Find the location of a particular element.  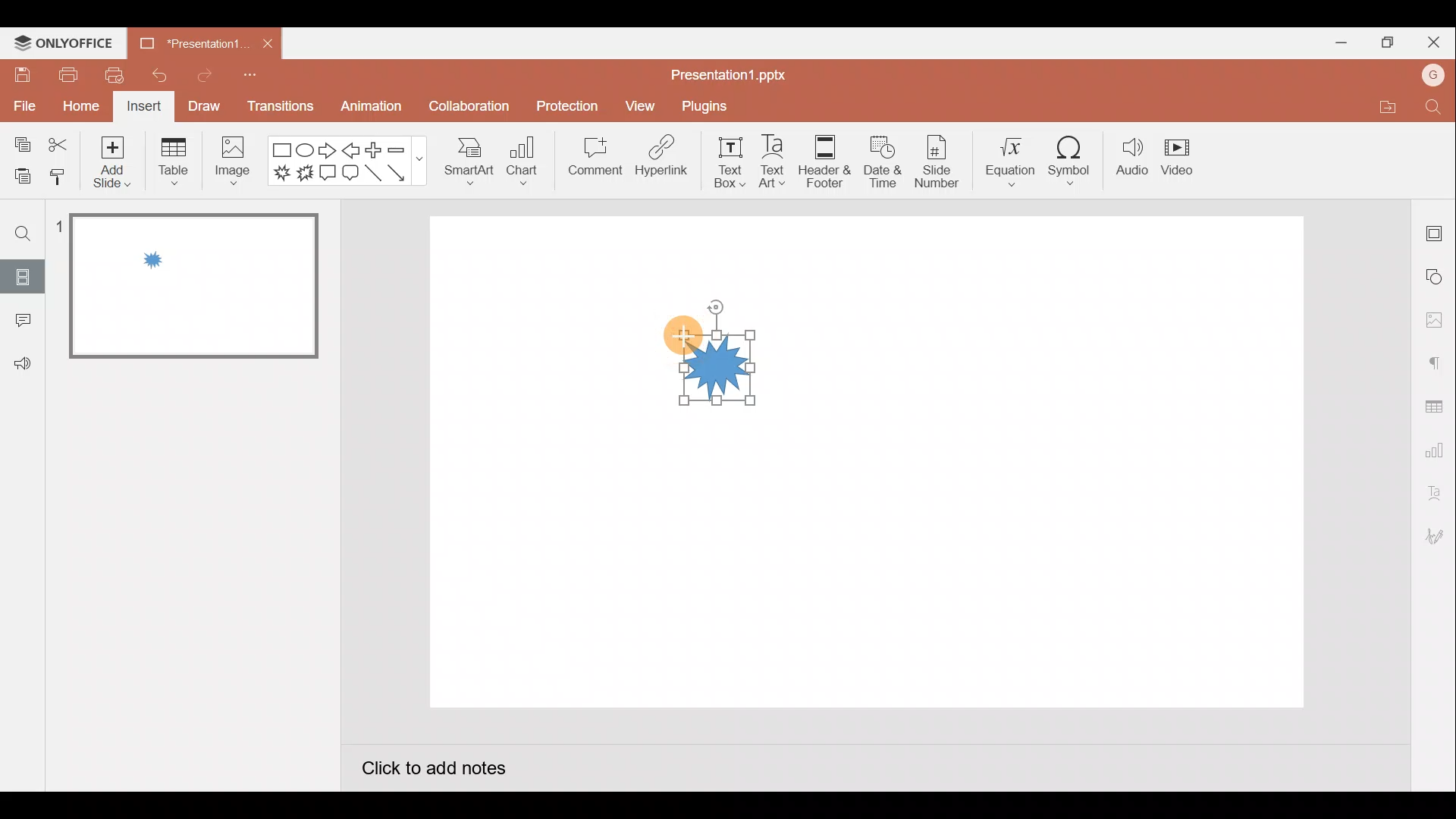

Presentation slide is located at coordinates (1062, 467).